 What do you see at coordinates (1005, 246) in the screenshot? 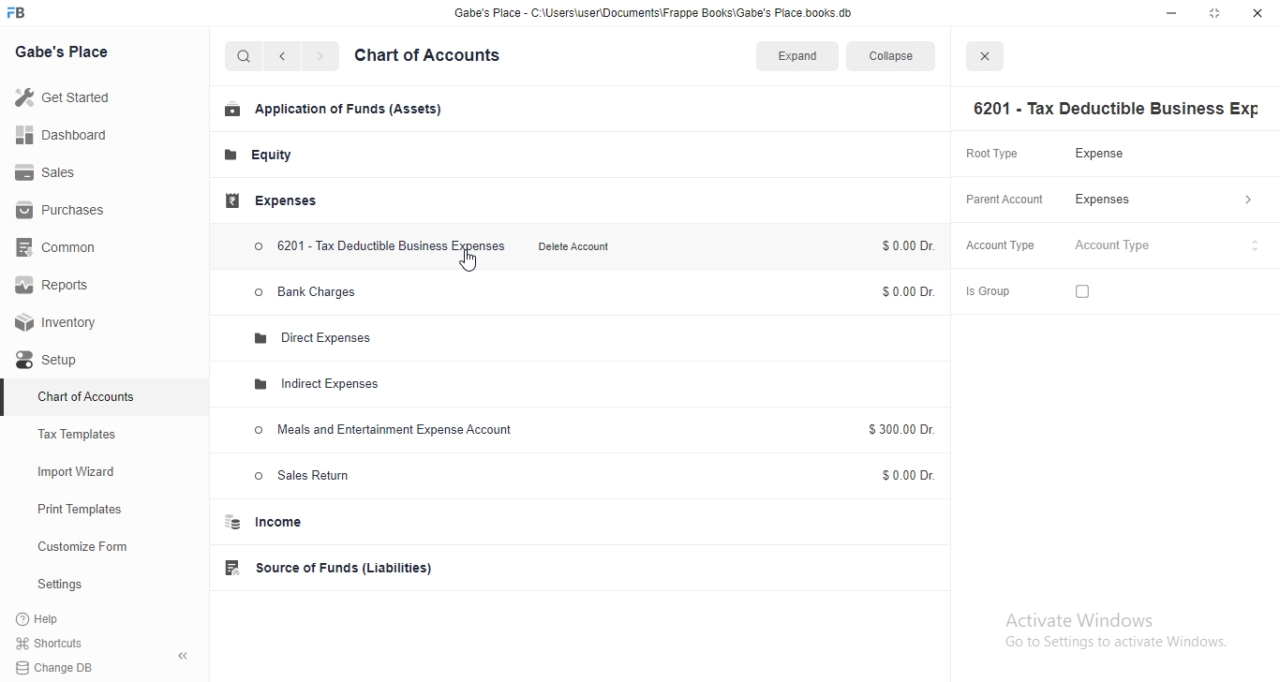
I see `Account Type` at bounding box center [1005, 246].